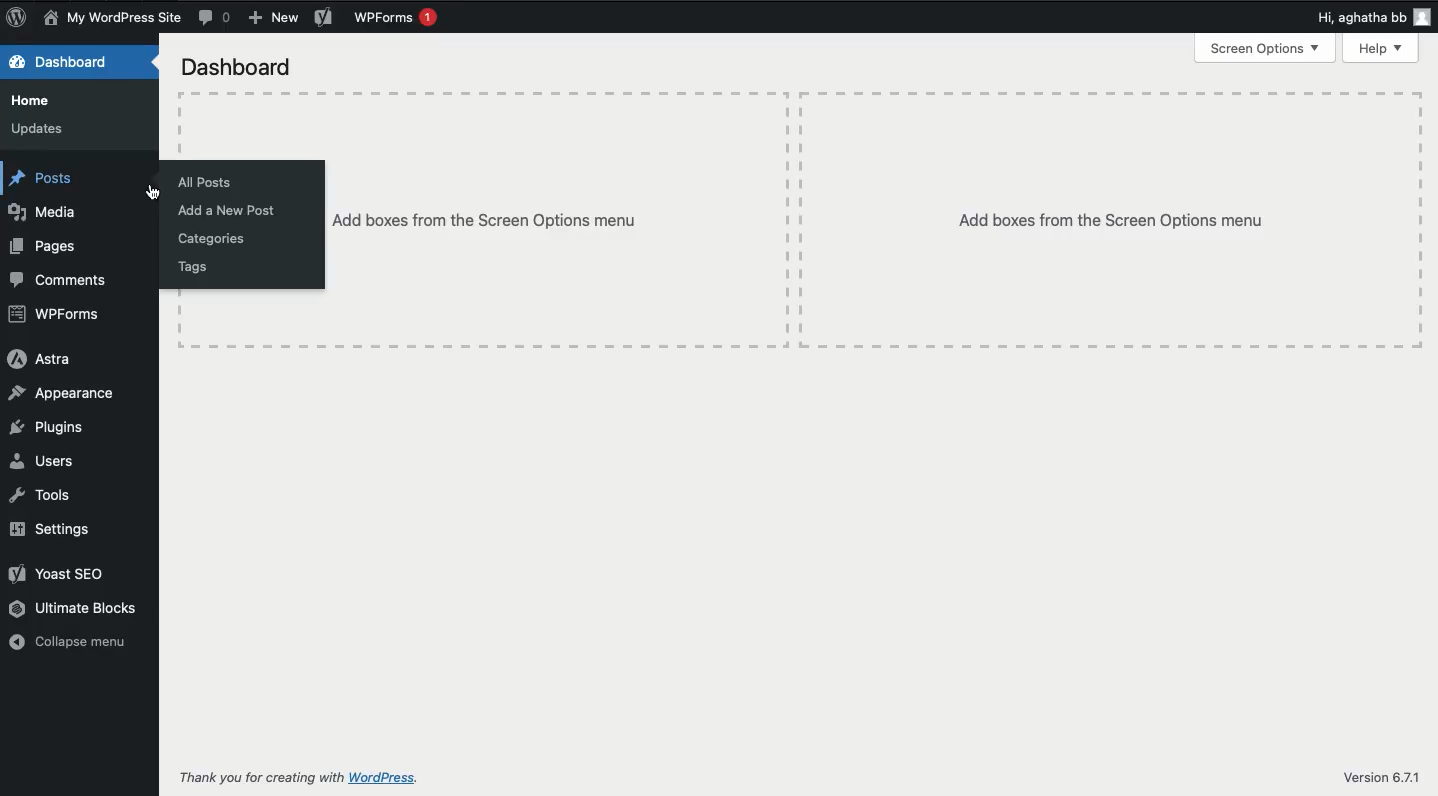  I want to click on Comments, so click(60, 280).